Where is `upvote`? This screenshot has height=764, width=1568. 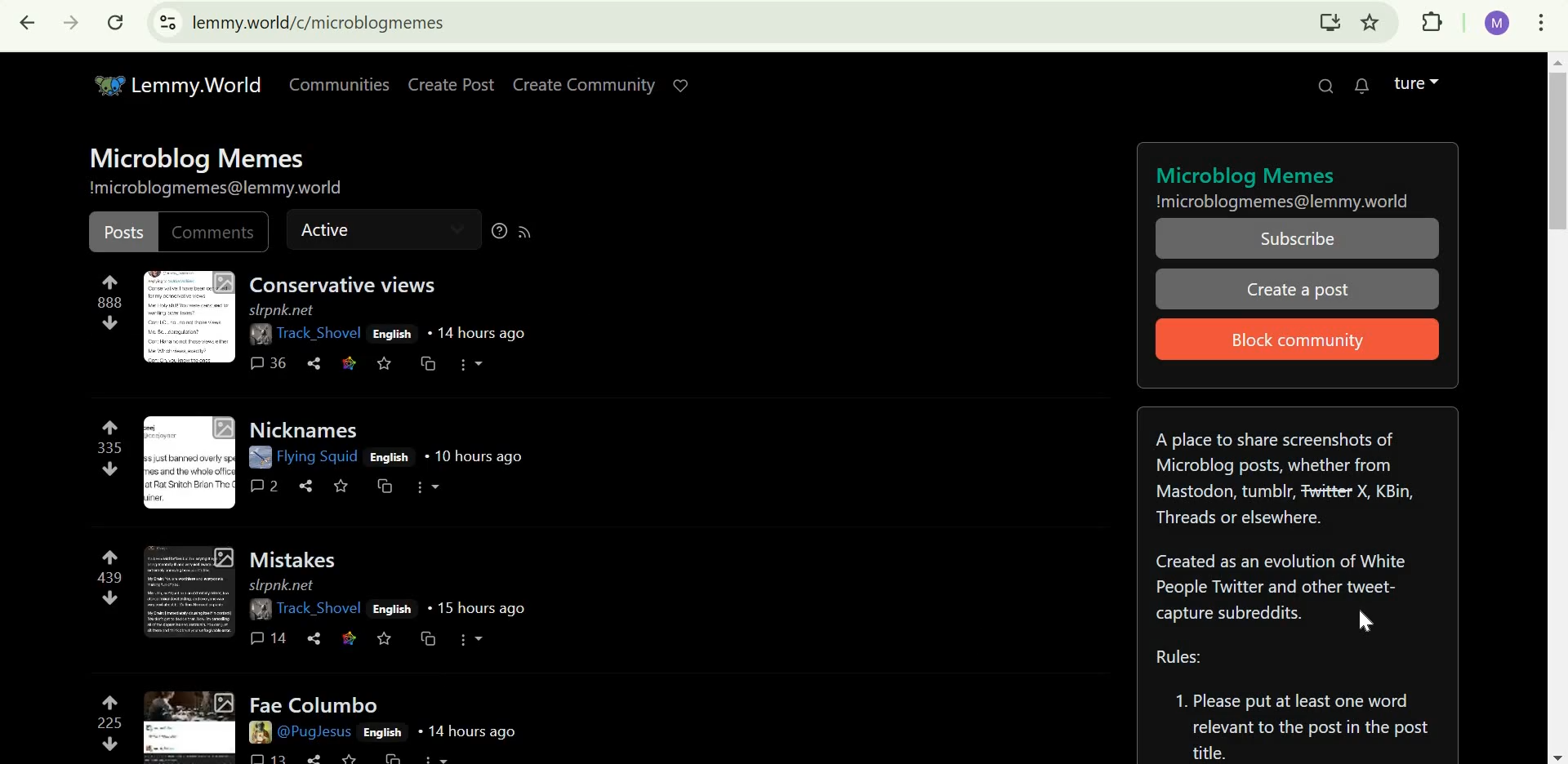
upvote is located at coordinates (110, 427).